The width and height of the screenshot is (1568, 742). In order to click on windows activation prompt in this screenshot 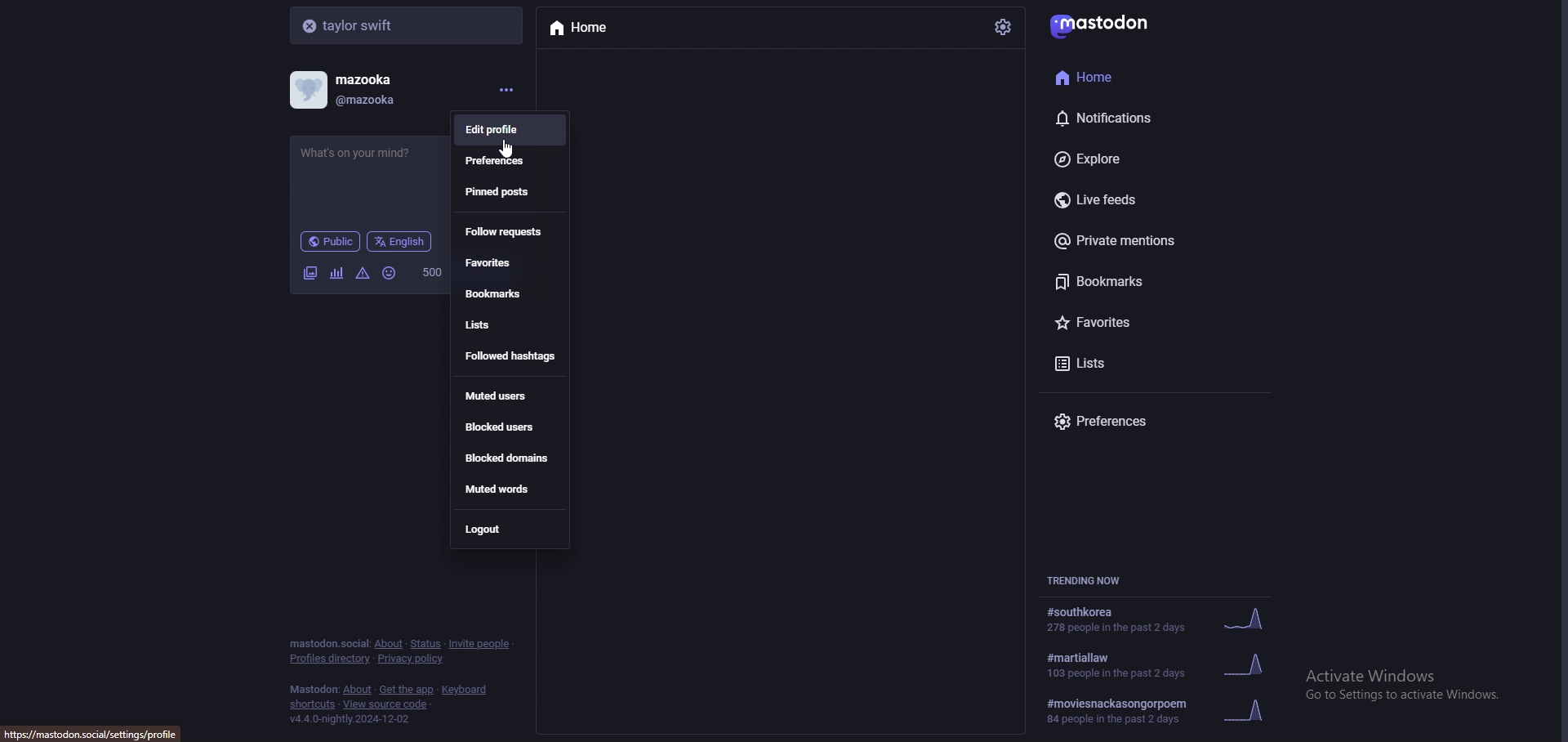, I will do `click(1414, 691)`.